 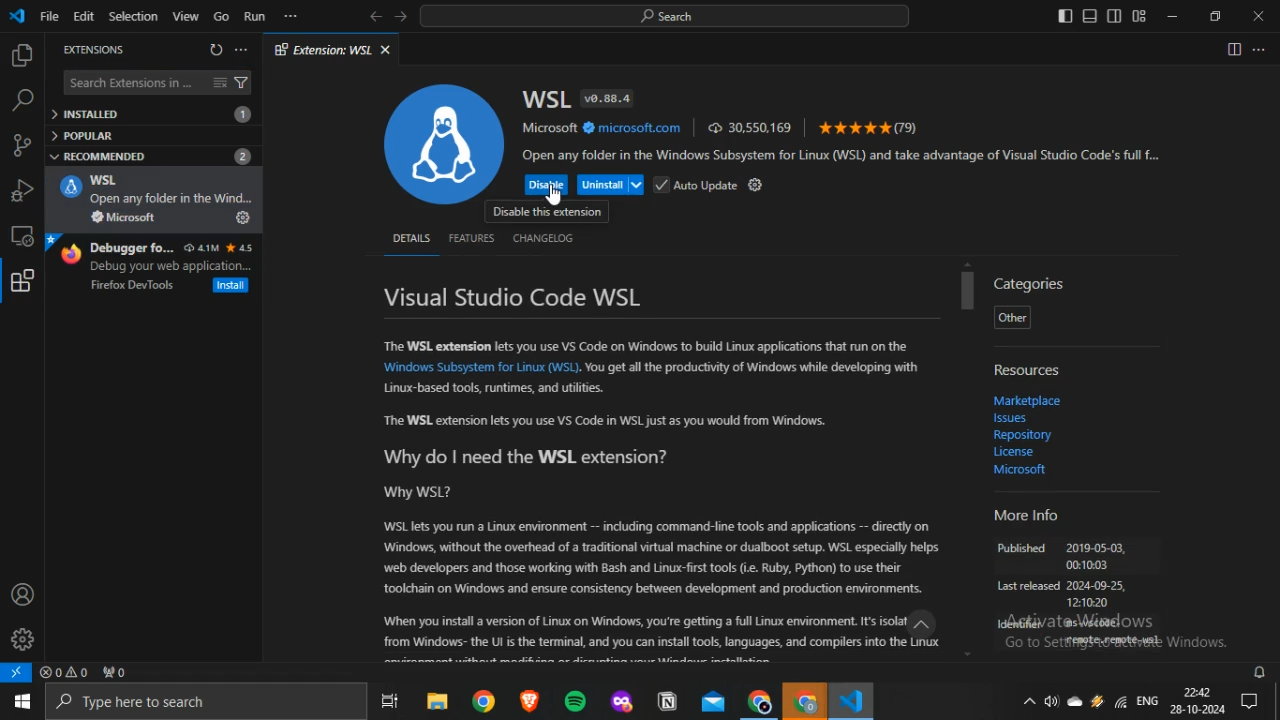 What do you see at coordinates (1087, 567) in the screenshot?
I see `00:10:03` at bounding box center [1087, 567].